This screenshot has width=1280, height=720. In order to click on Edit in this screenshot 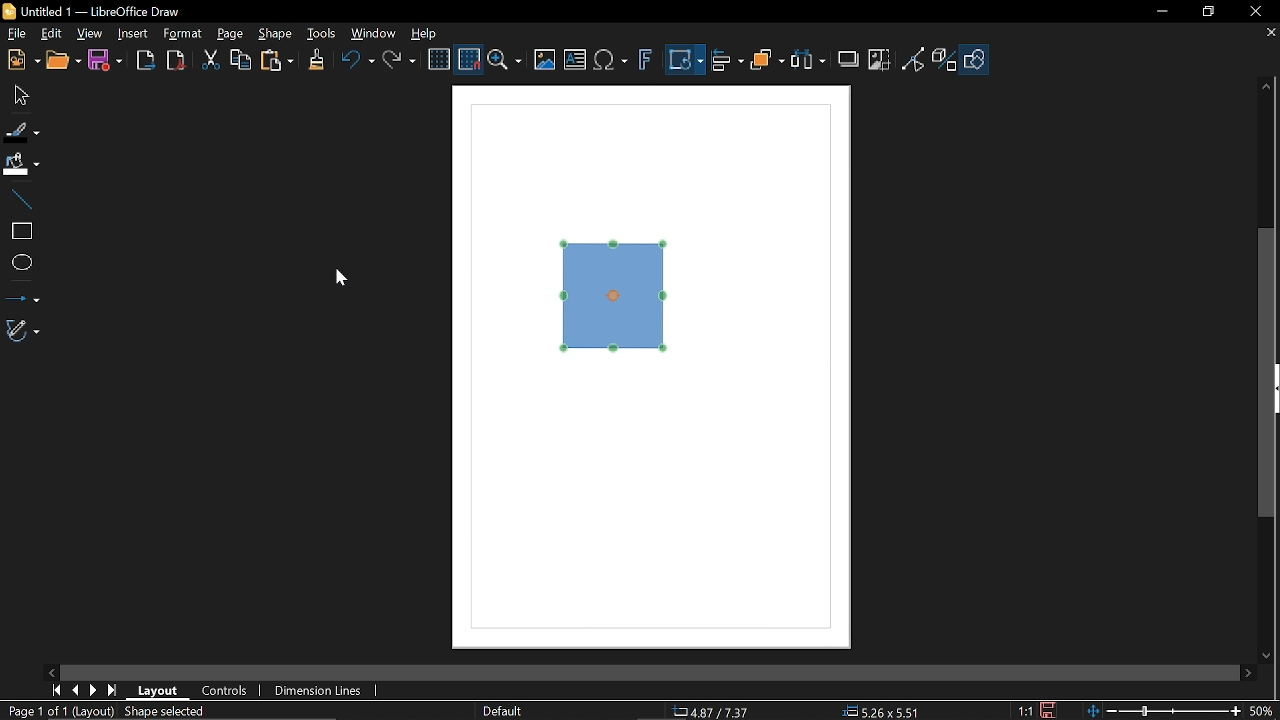, I will do `click(50, 35)`.